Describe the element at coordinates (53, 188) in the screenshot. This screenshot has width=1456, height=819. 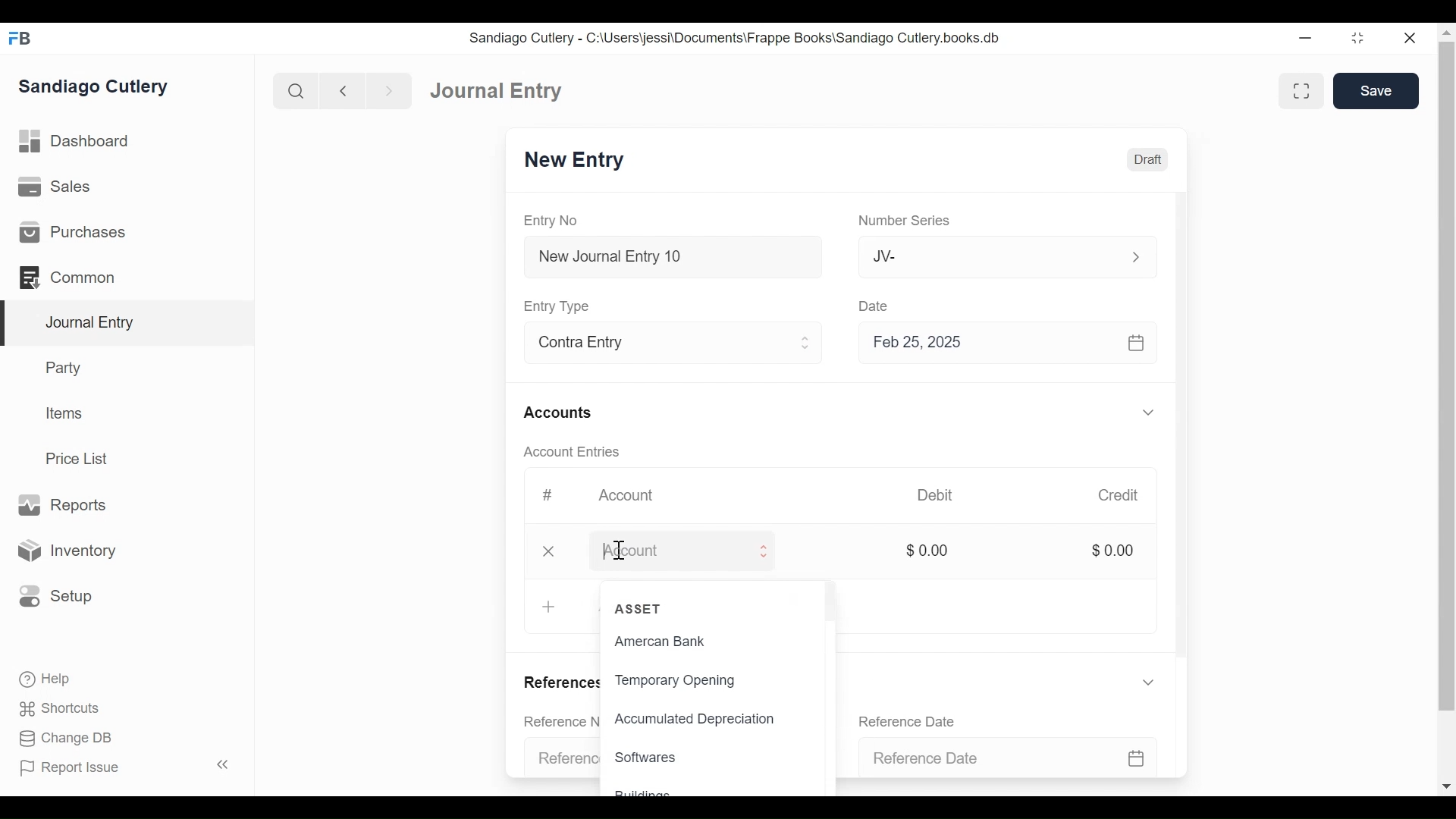
I see `Sales` at that location.